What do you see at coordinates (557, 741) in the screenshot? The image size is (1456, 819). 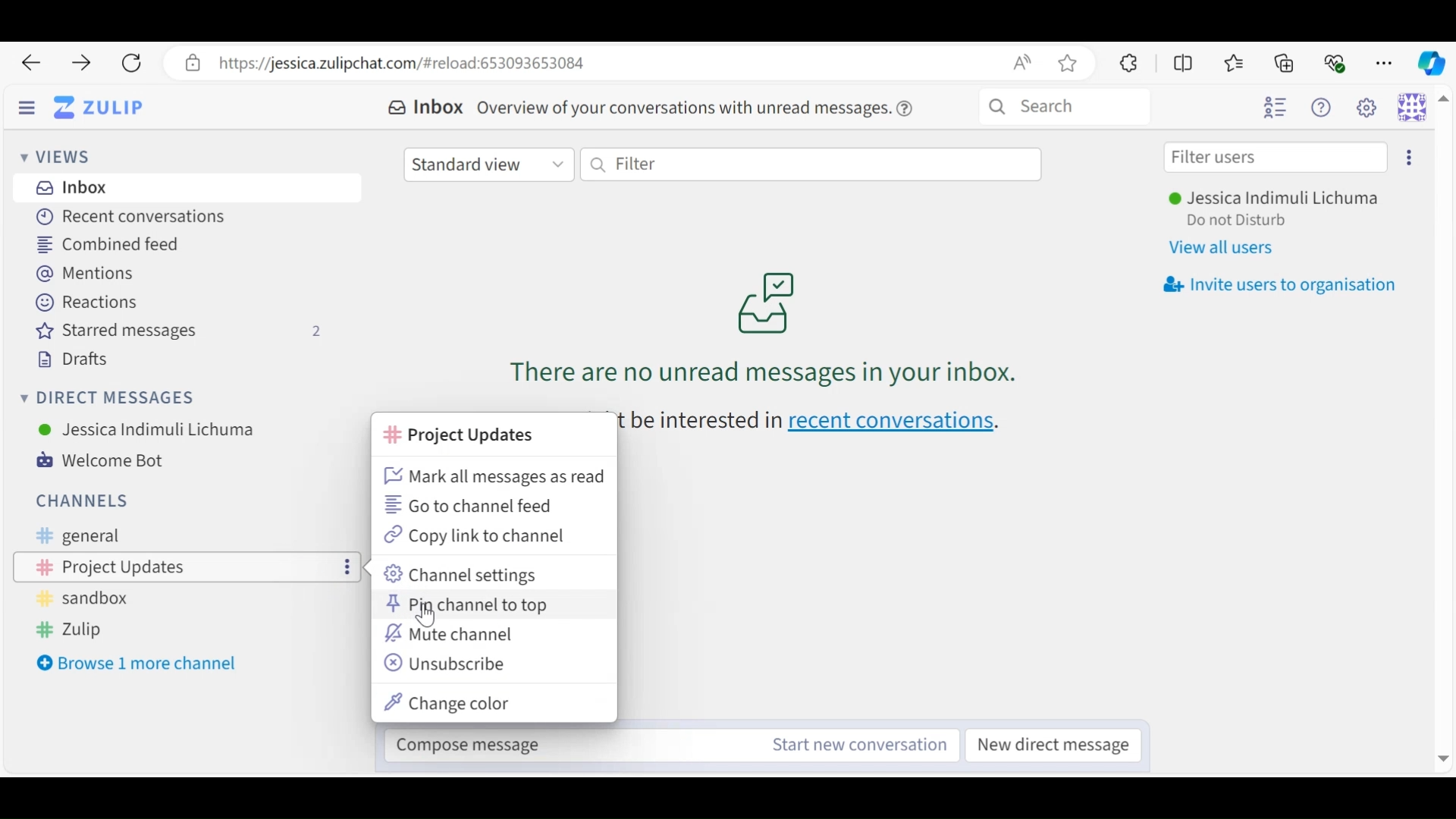 I see `Compose message` at bounding box center [557, 741].